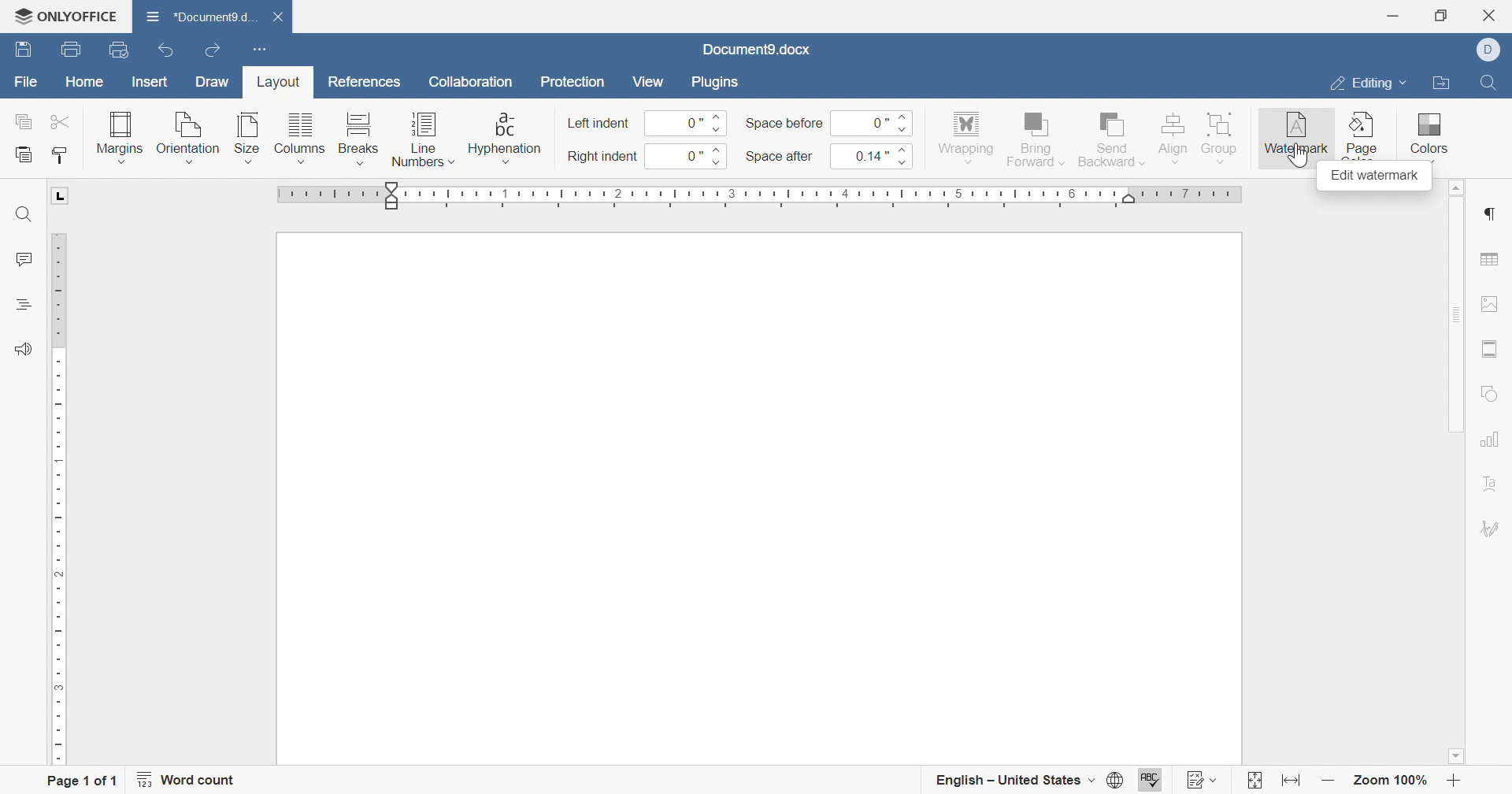  What do you see at coordinates (1491, 395) in the screenshot?
I see `shape settings` at bounding box center [1491, 395].